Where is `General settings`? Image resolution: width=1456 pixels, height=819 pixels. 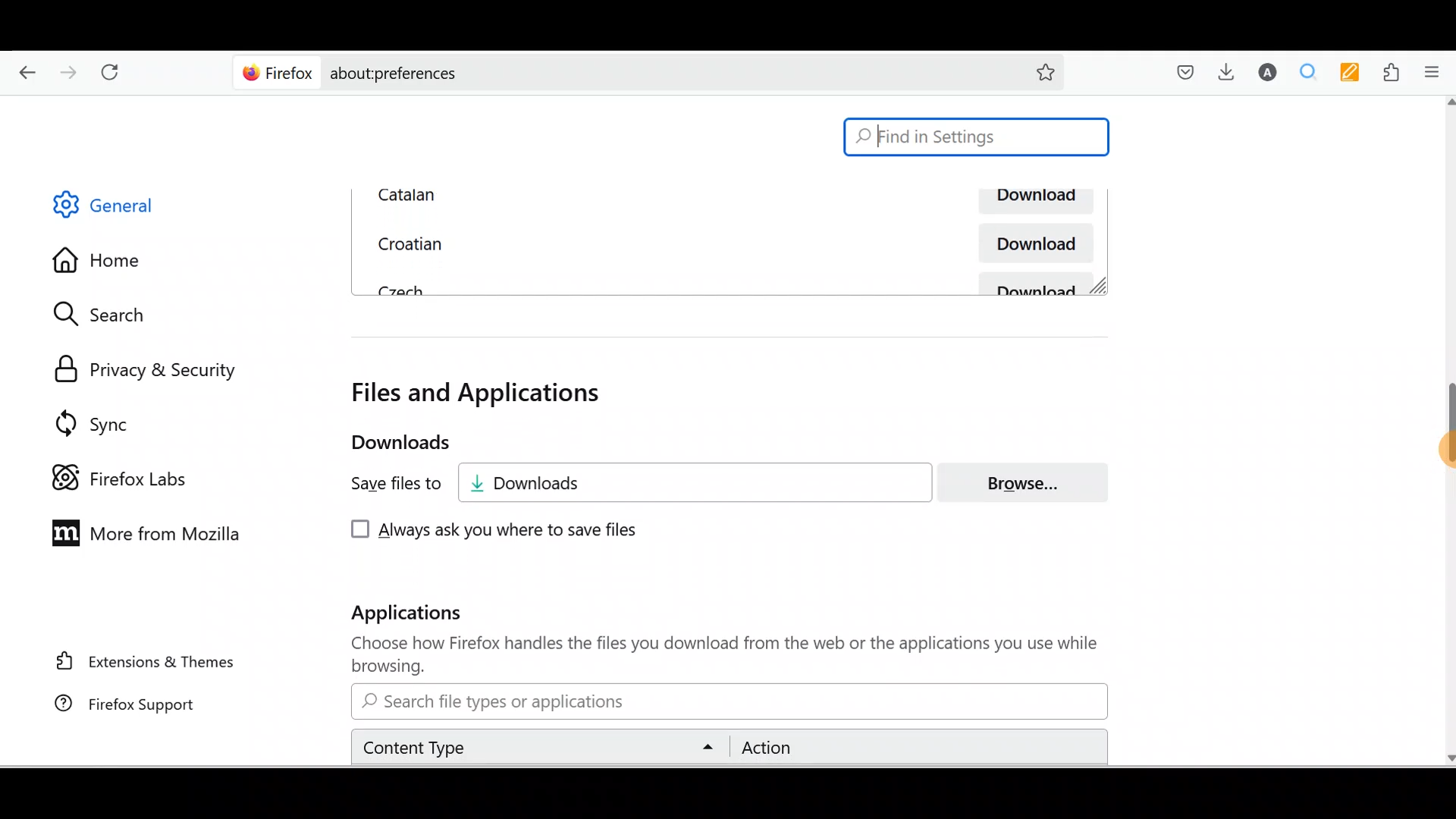
General settings is located at coordinates (117, 209).